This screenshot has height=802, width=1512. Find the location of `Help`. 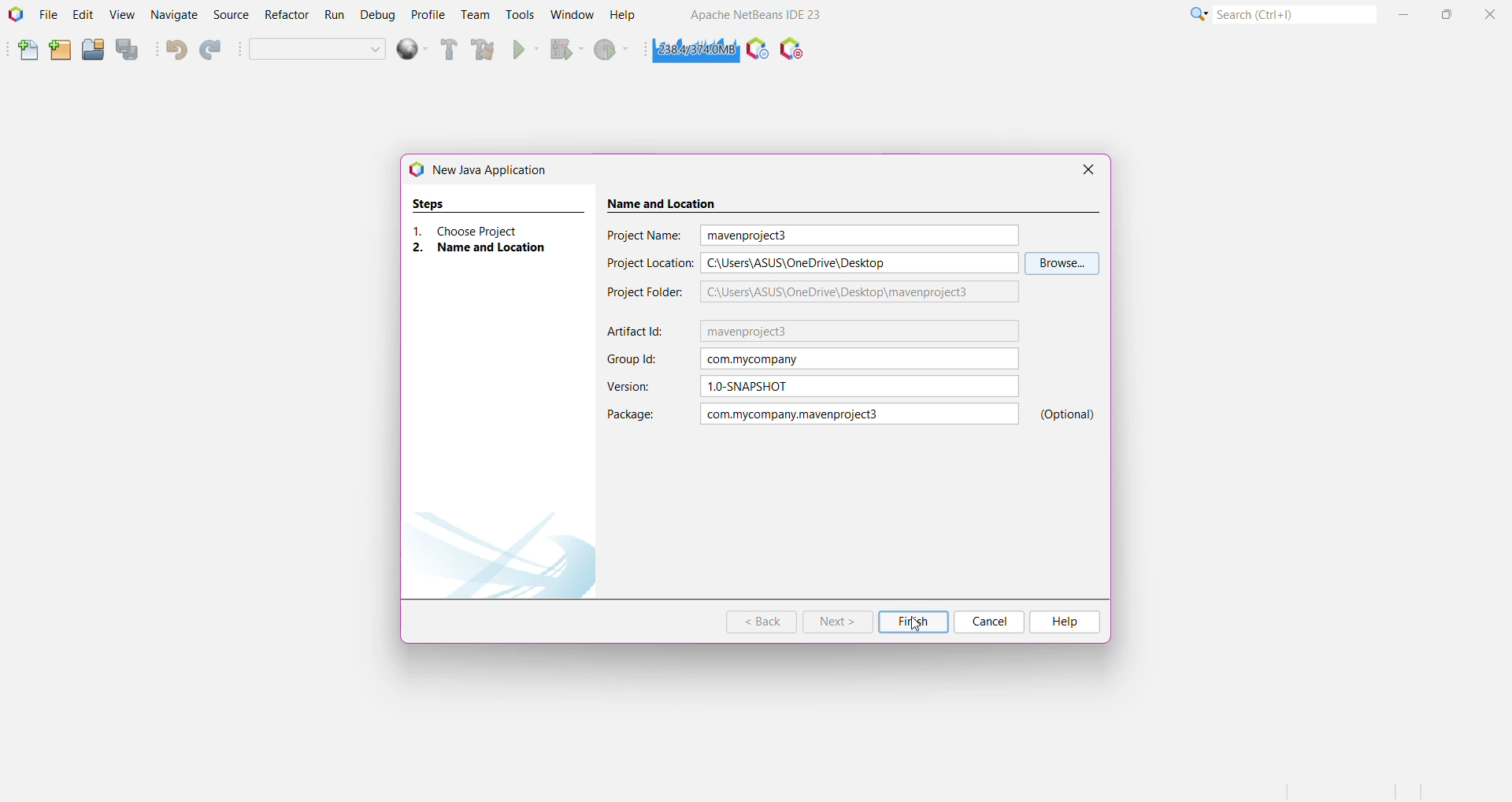

Help is located at coordinates (623, 16).